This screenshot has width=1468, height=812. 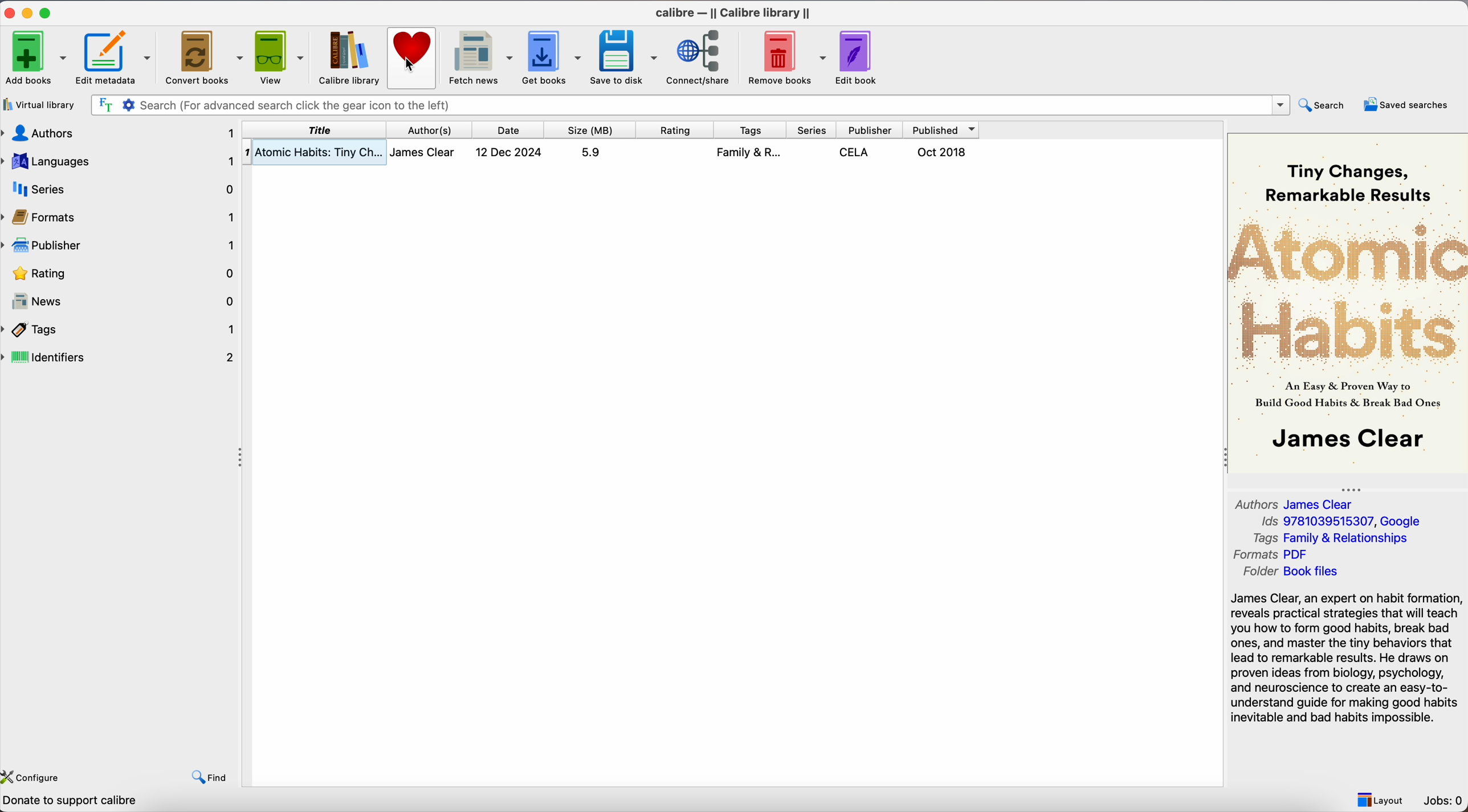 I want to click on author(s), so click(x=432, y=129).